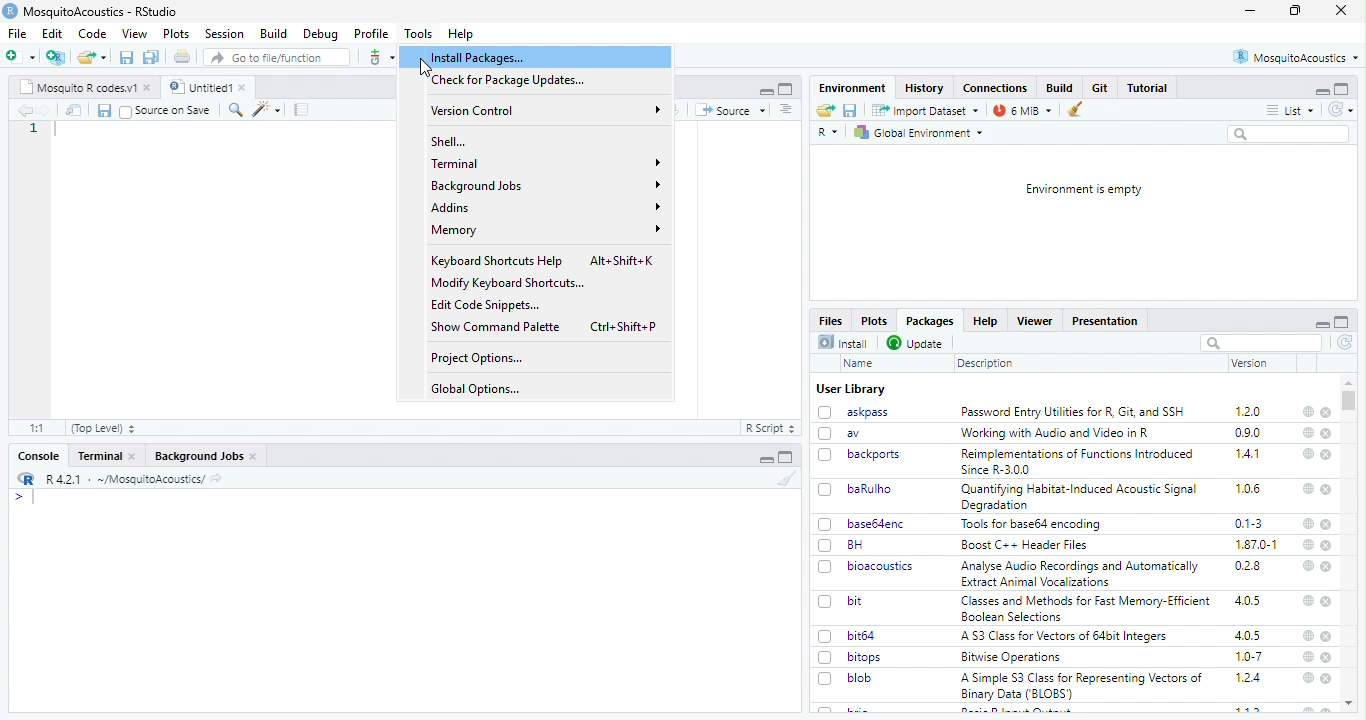 The image size is (1366, 720). What do you see at coordinates (152, 57) in the screenshot?
I see `duplicate` at bounding box center [152, 57].